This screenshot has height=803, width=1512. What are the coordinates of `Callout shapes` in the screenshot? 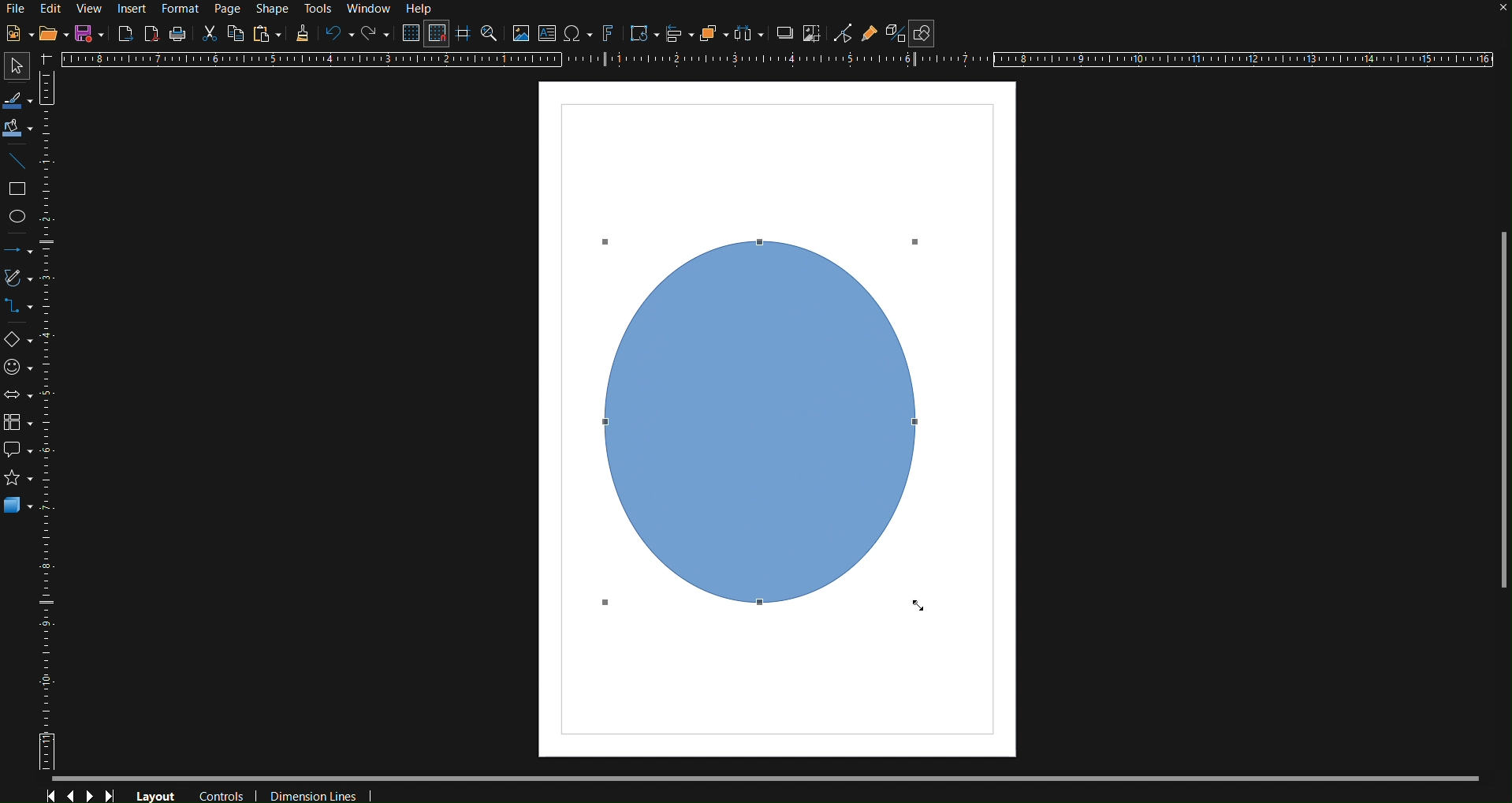 It's located at (17, 450).